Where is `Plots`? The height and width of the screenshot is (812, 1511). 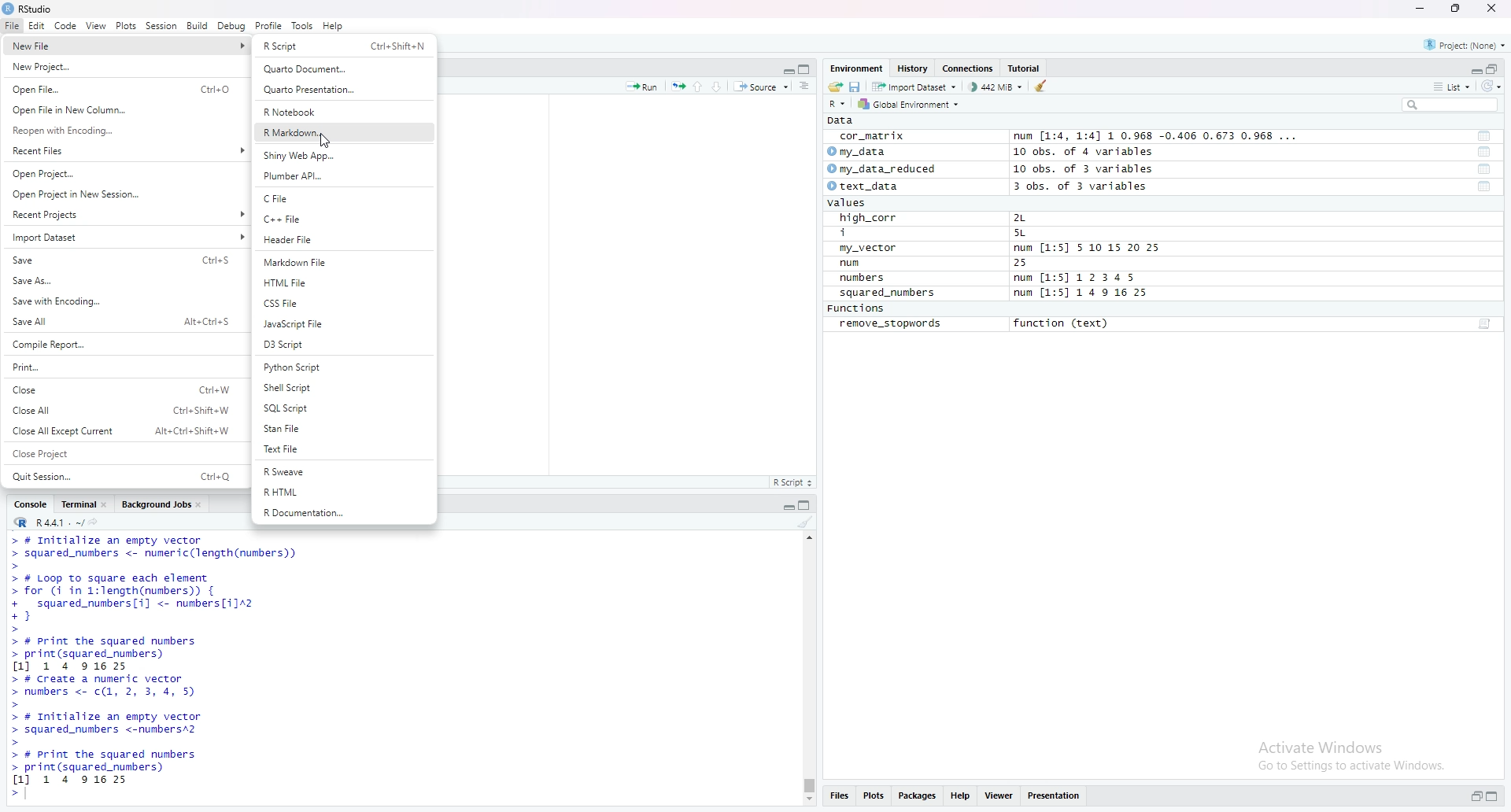 Plots is located at coordinates (875, 796).